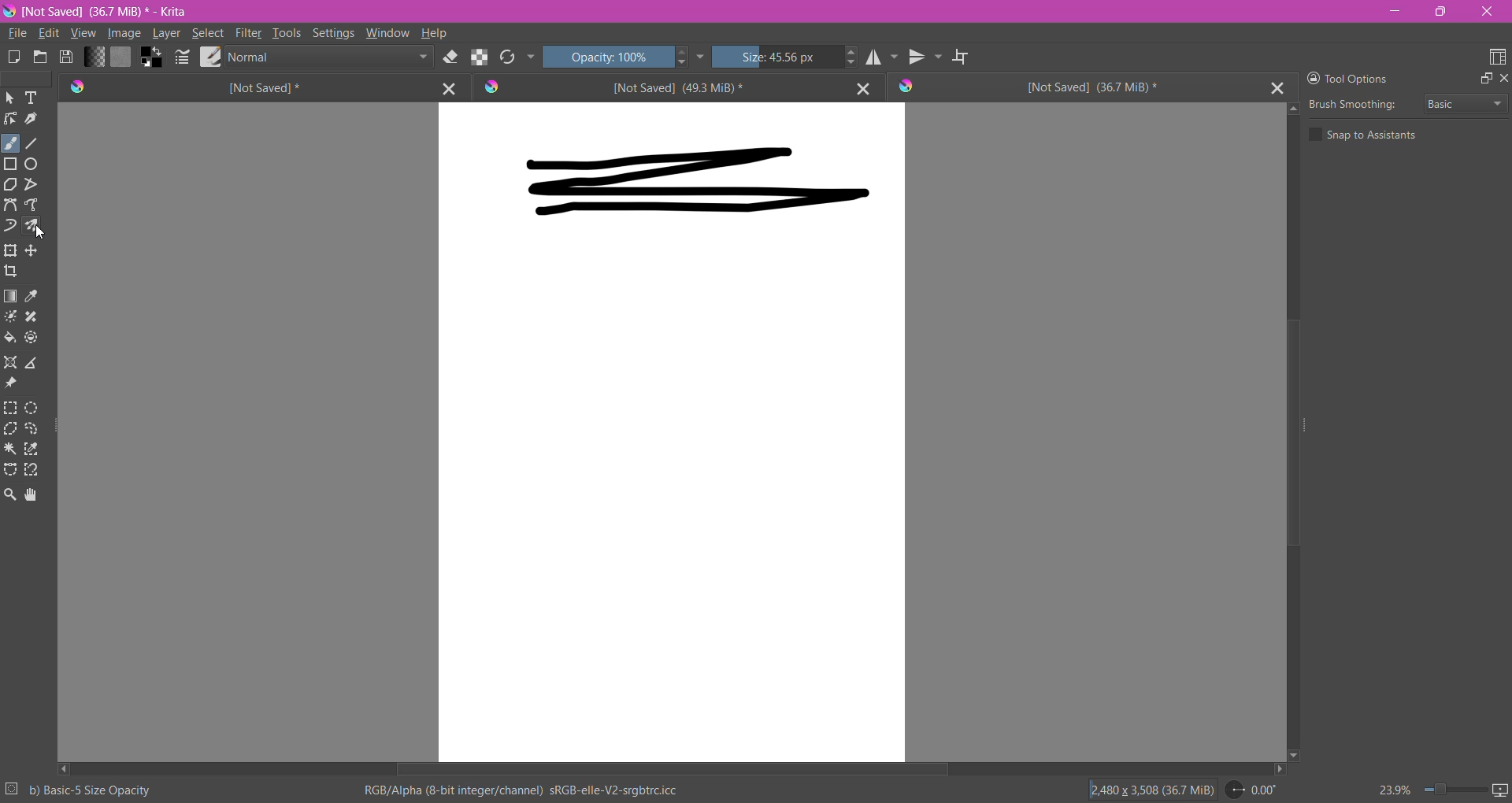 The image size is (1512, 803). I want to click on Similar Color Selection Tool, so click(31, 449).